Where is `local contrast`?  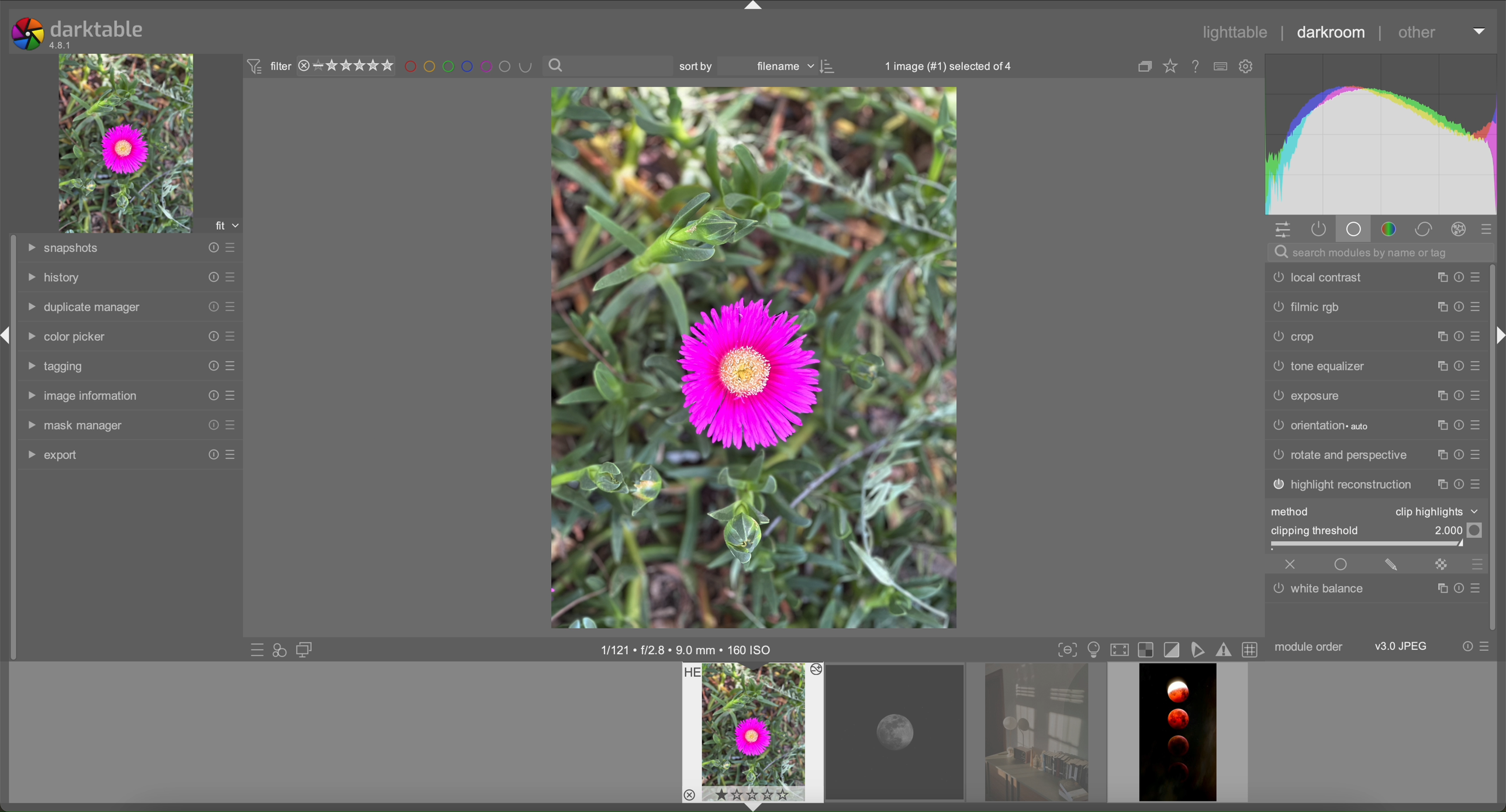 local contrast is located at coordinates (1315, 277).